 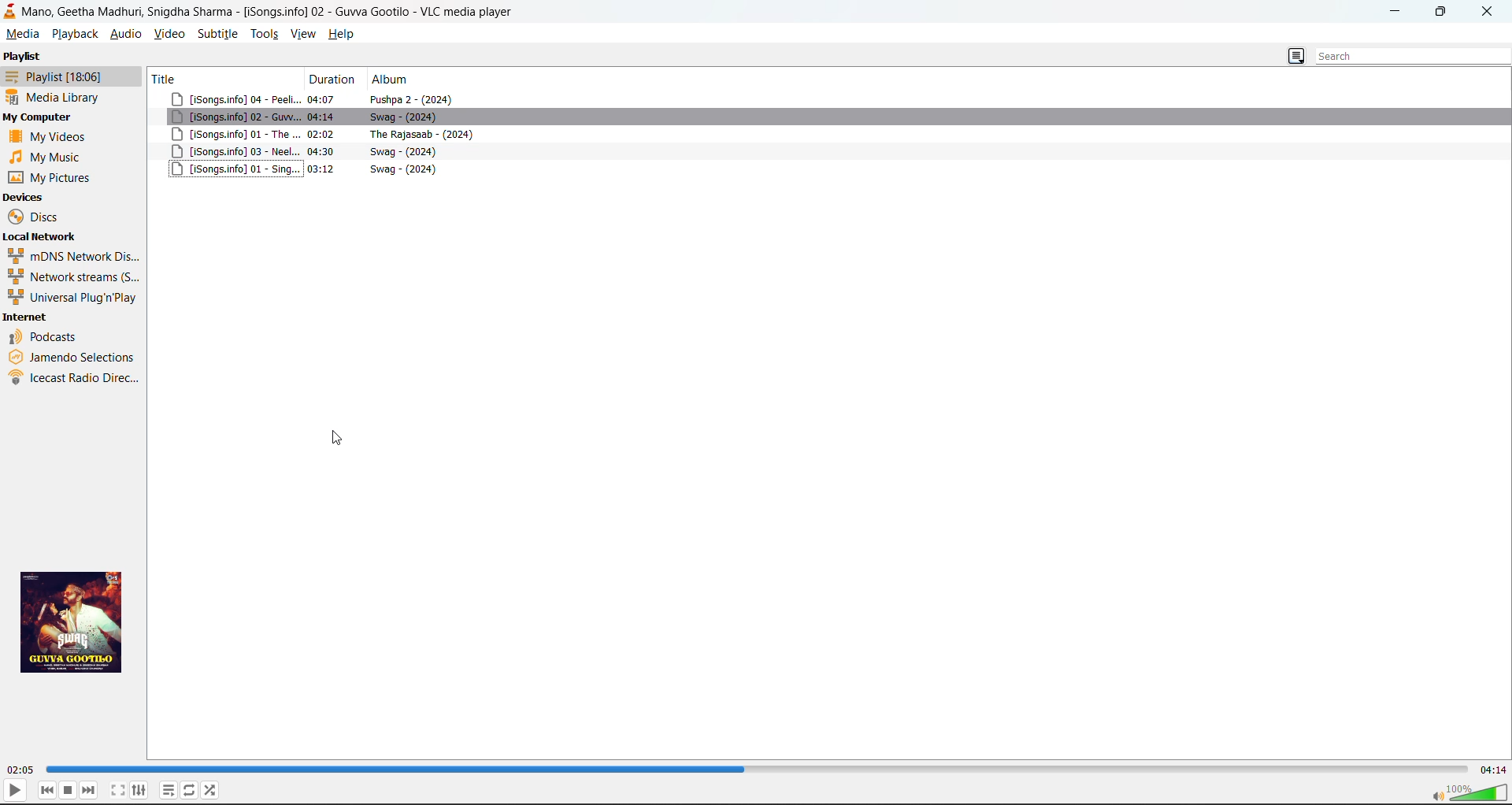 What do you see at coordinates (140, 790) in the screenshot?
I see `settings` at bounding box center [140, 790].